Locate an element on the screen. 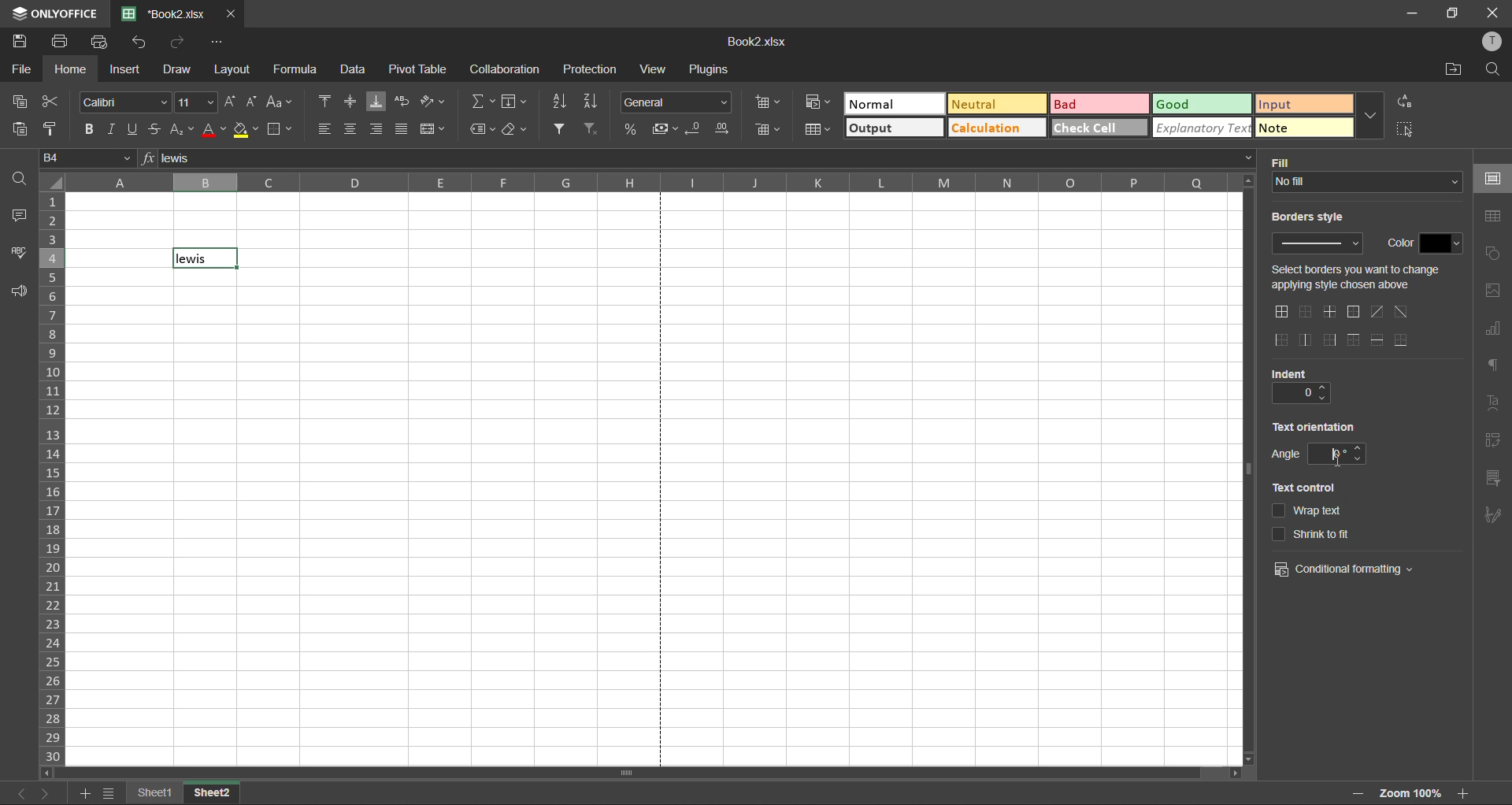 The height and width of the screenshot is (805, 1512). cut is located at coordinates (53, 103).